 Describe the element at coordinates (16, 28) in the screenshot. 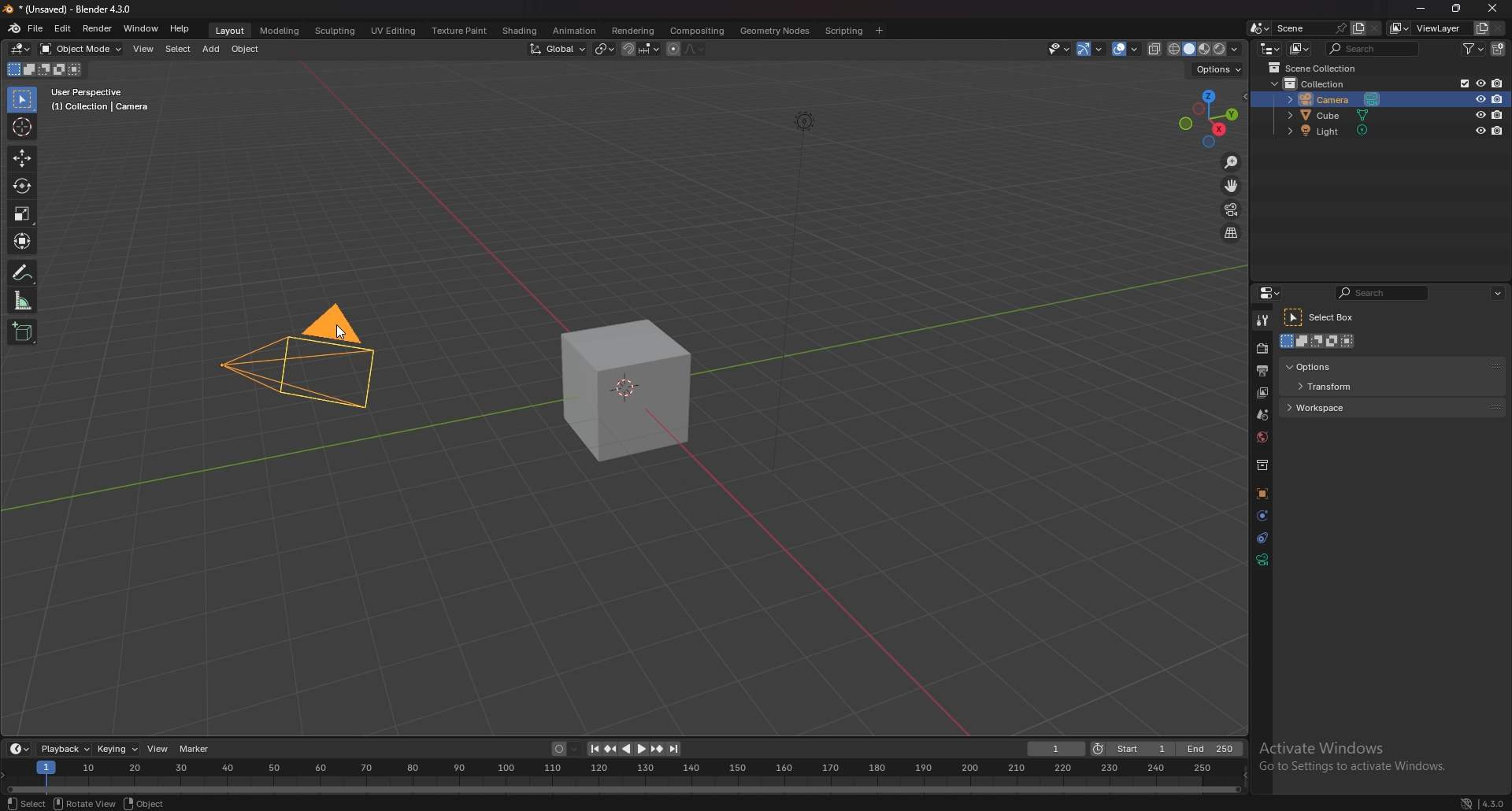

I see `blender` at that location.